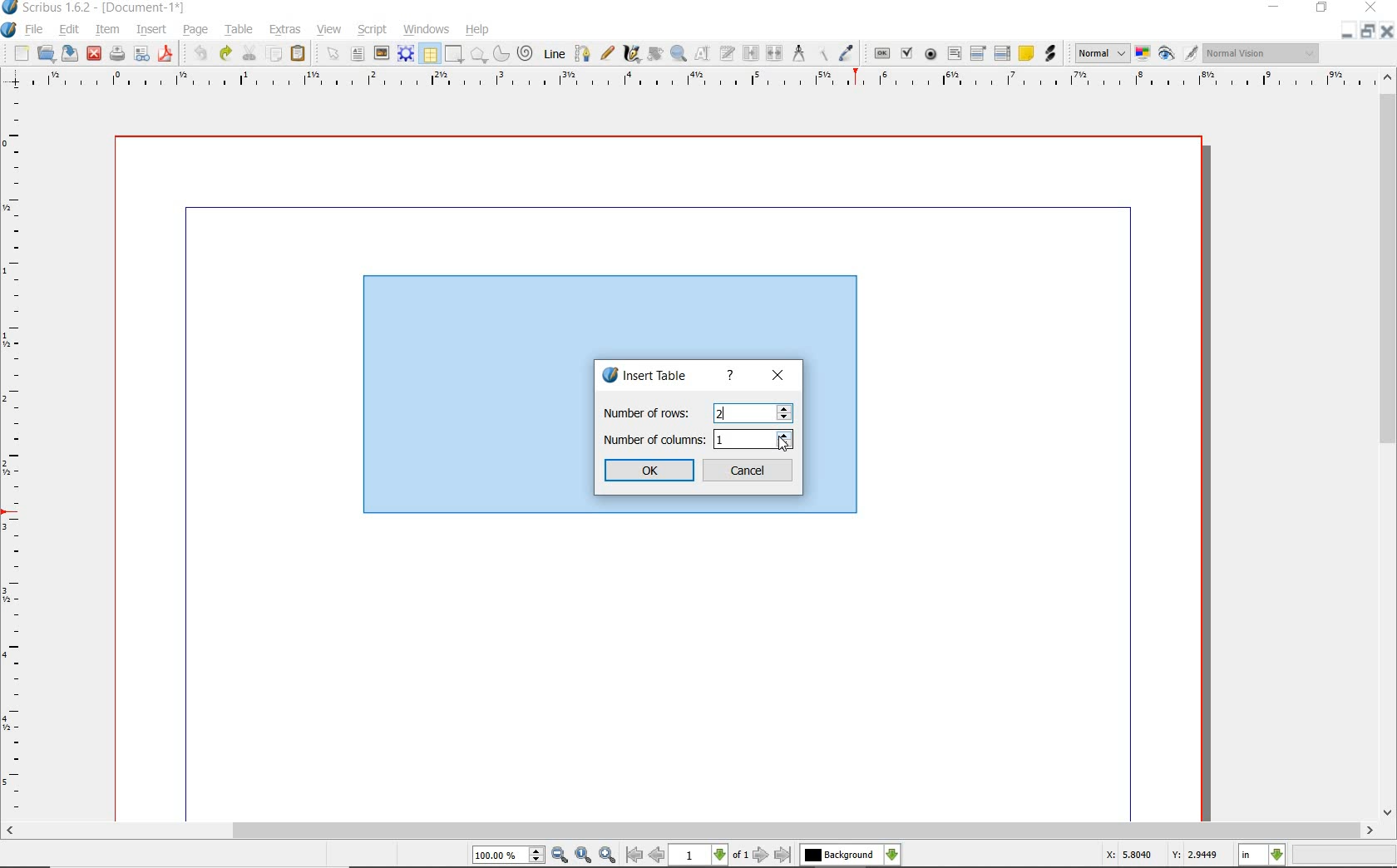  Describe the element at coordinates (67, 30) in the screenshot. I see `edit` at that location.